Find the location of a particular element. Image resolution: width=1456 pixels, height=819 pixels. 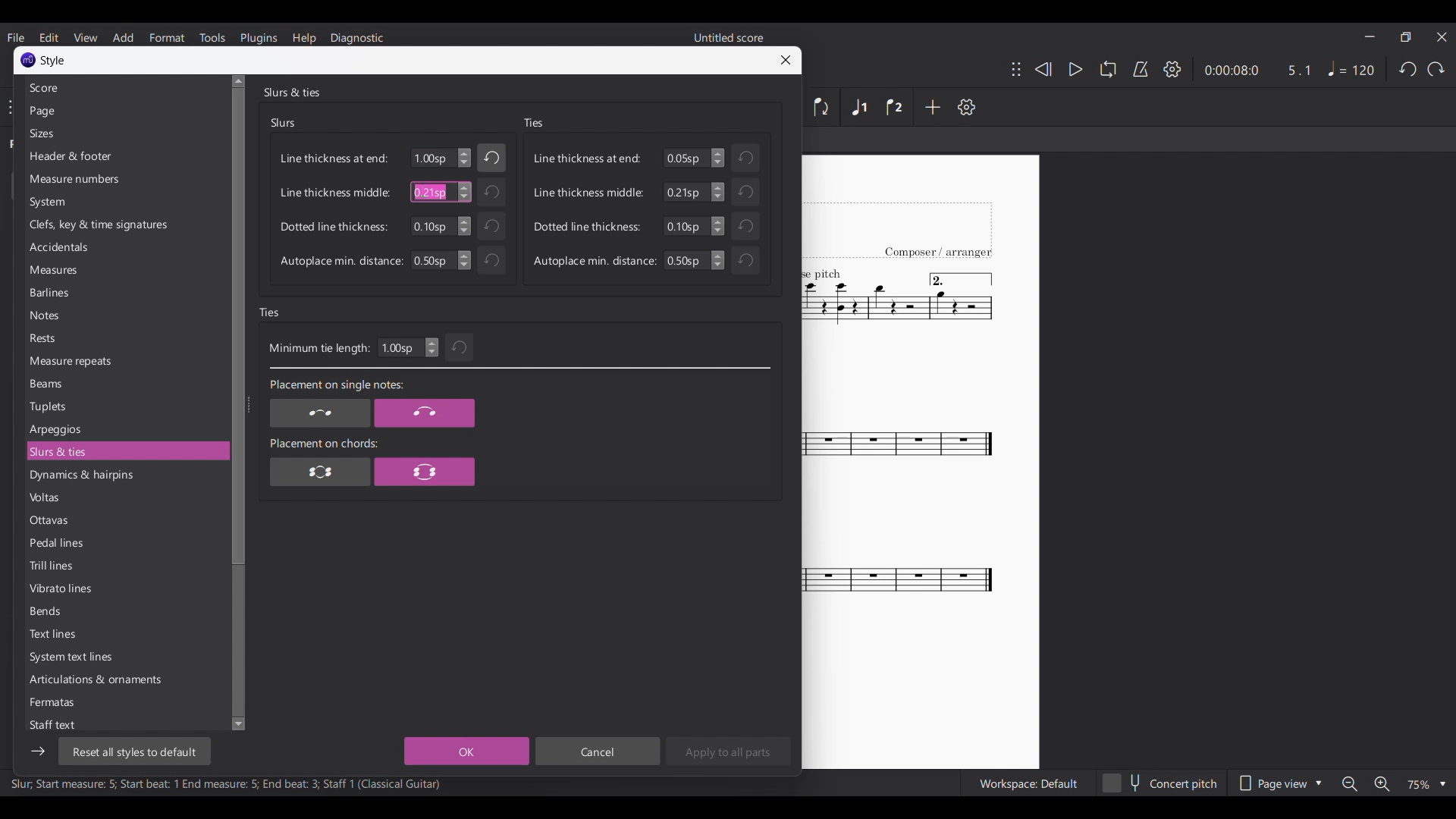

Sizes is located at coordinates (124, 133).